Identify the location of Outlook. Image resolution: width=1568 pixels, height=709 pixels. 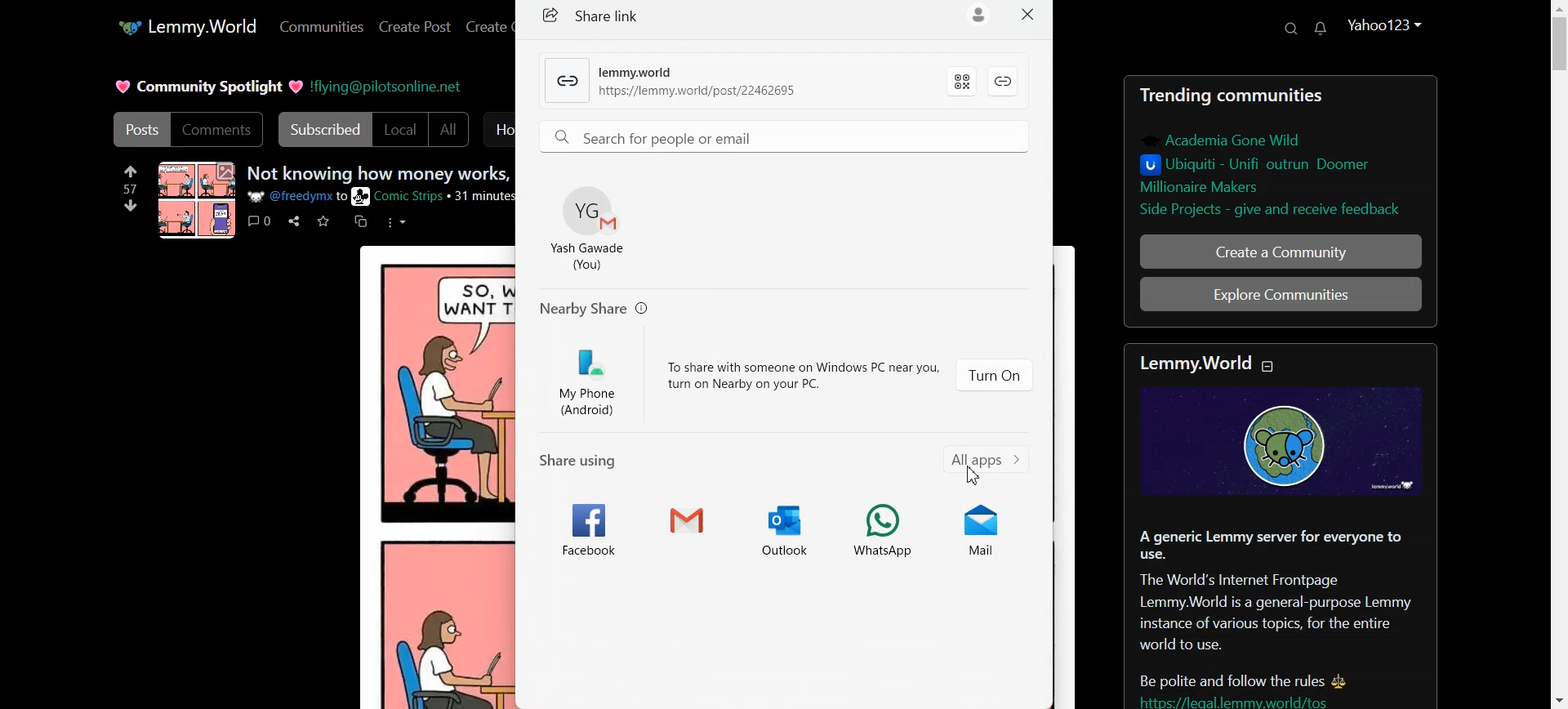
(785, 526).